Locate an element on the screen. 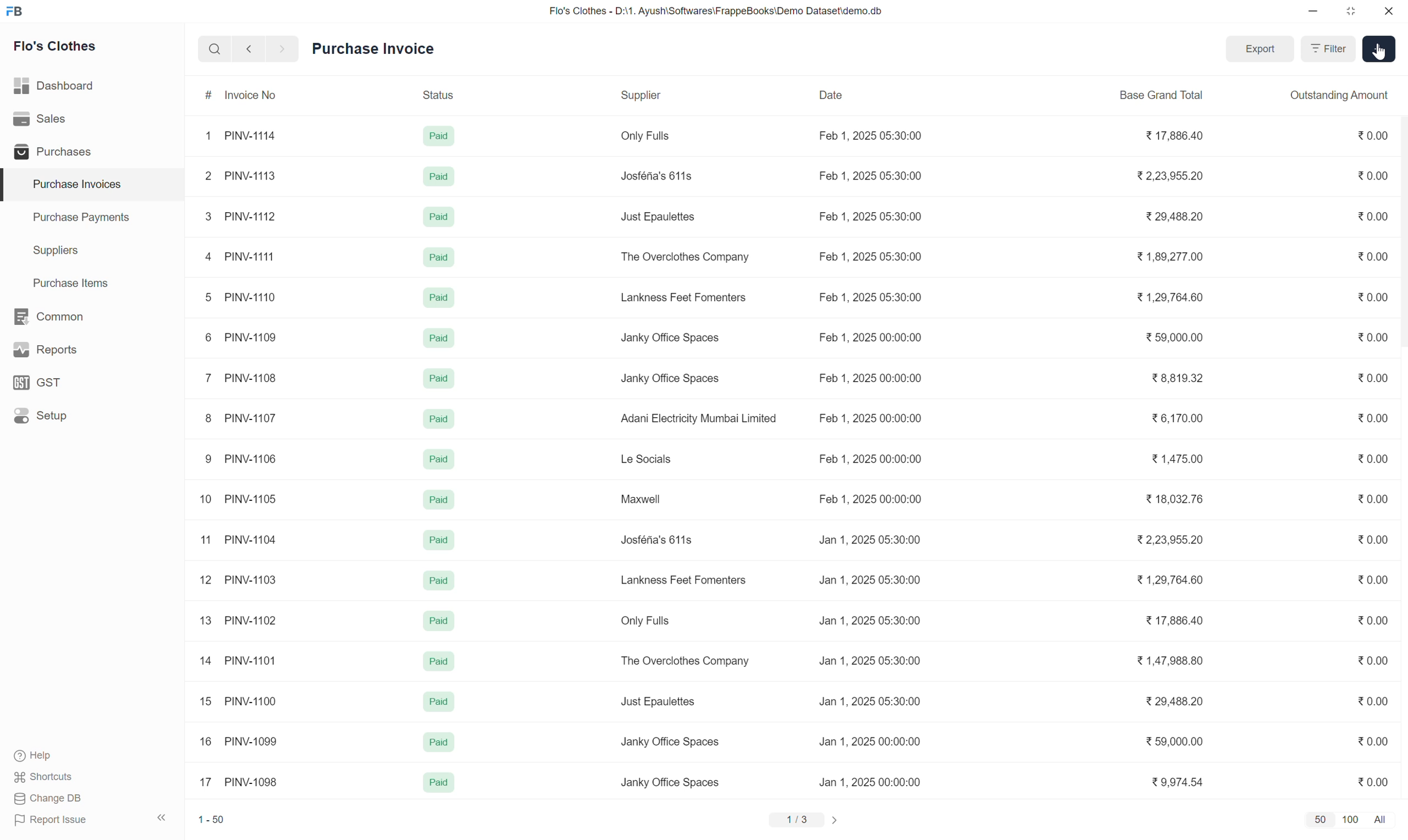 This screenshot has height=840, width=1408. Janky Office Spaces is located at coordinates (670, 782).